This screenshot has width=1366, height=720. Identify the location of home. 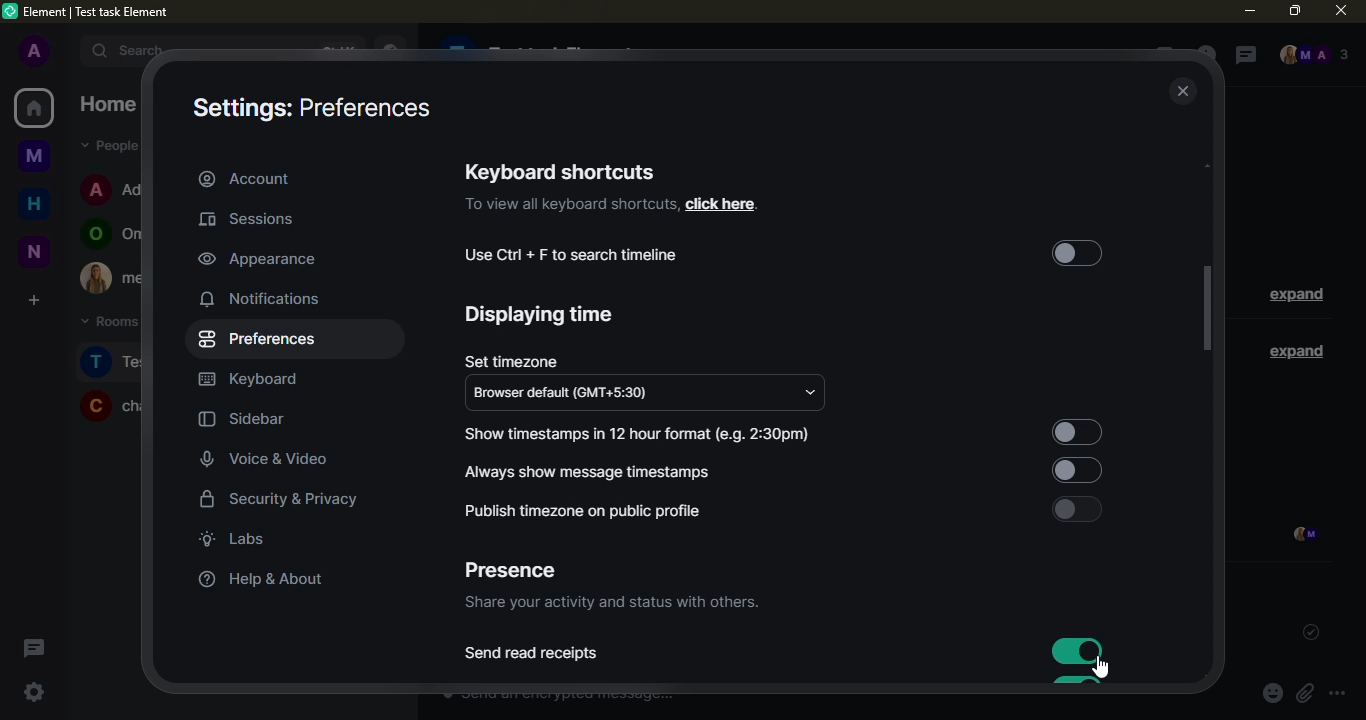
(35, 201).